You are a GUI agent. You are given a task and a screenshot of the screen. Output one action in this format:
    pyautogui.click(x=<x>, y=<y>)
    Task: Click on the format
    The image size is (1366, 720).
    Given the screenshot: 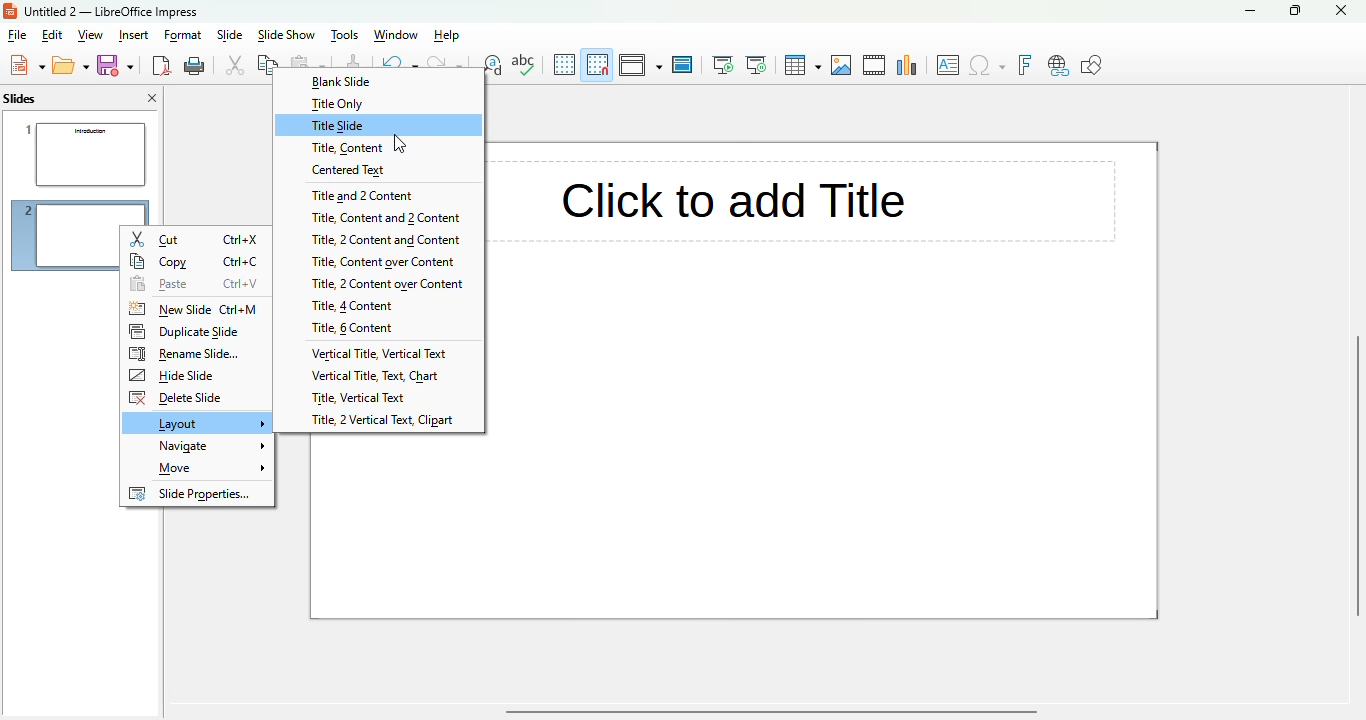 What is the action you would take?
    pyautogui.click(x=184, y=35)
    